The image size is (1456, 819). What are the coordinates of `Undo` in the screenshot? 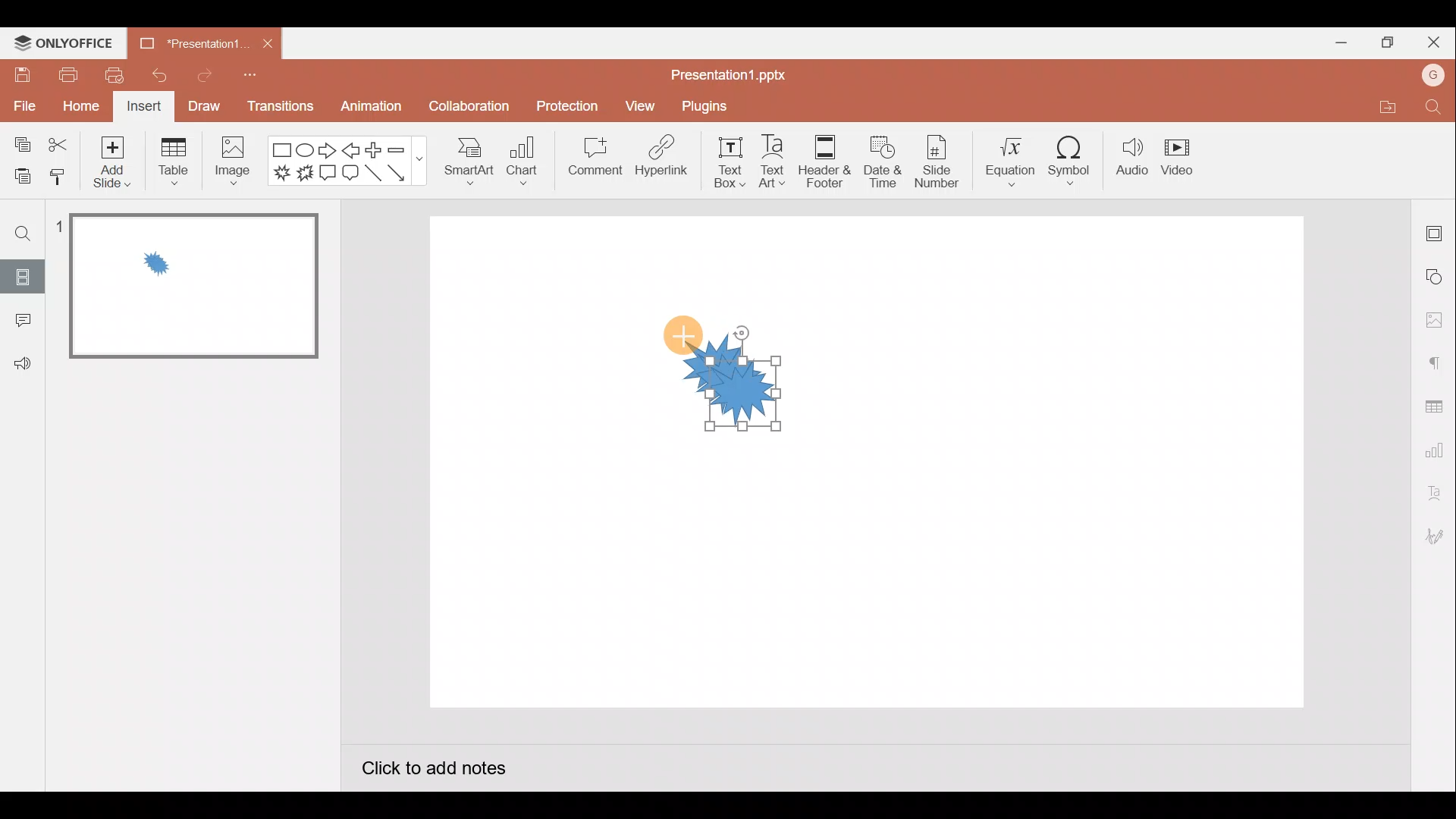 It's located at (158, 73).